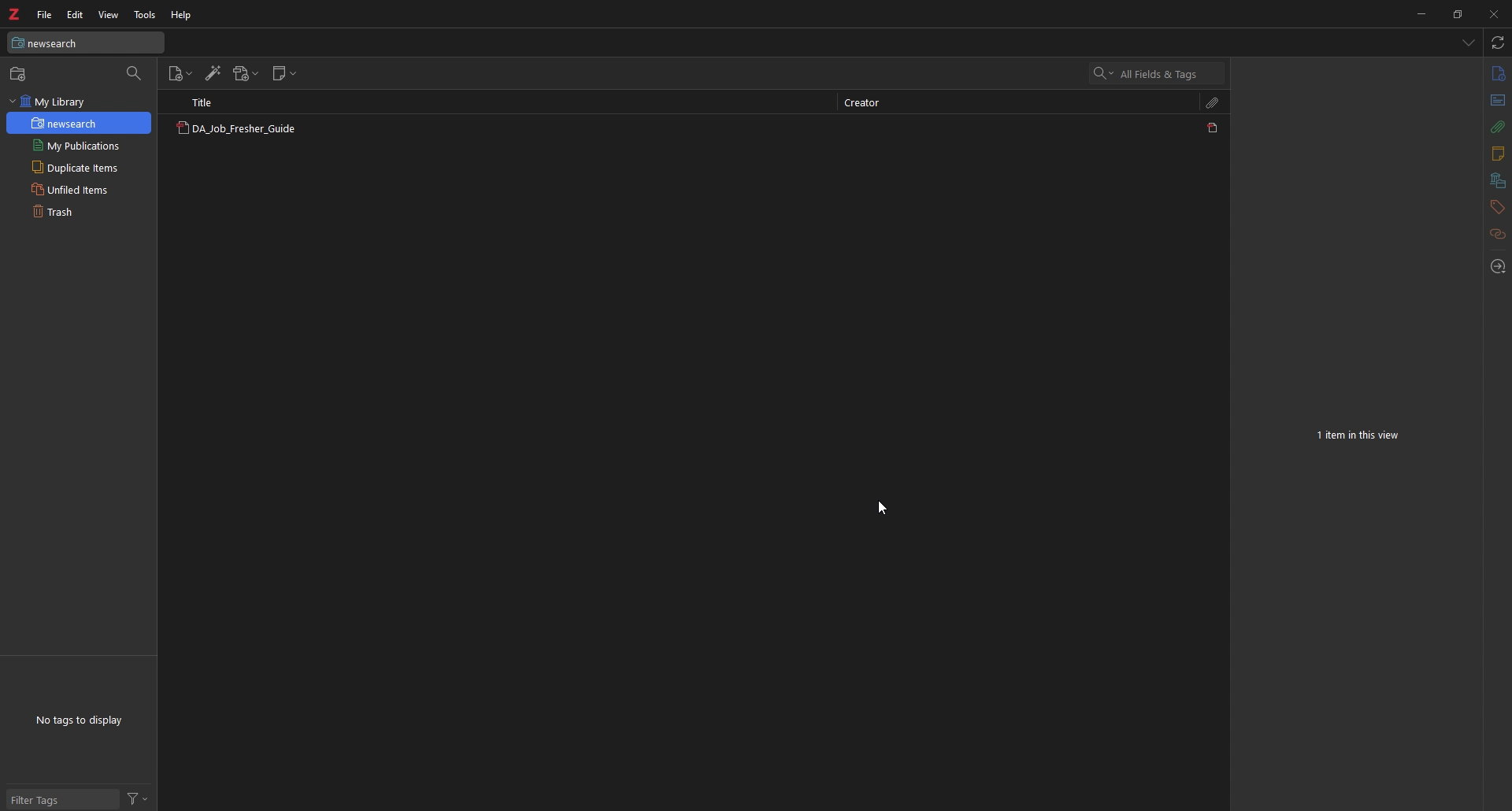  Describe the element at coordinates (138, 798) in the screenshot. I see `Filter` at that location.